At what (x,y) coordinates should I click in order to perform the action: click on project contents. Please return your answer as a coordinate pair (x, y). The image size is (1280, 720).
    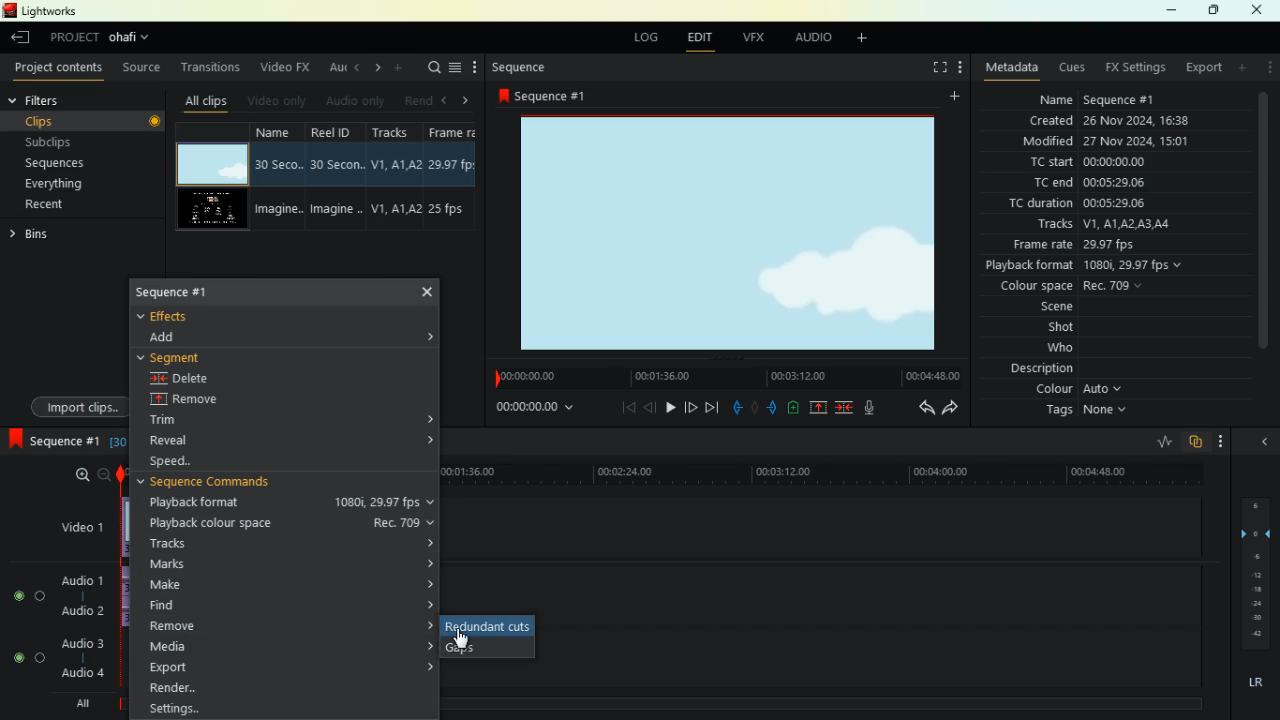
    Looking at the image, I should click on (59, 68).